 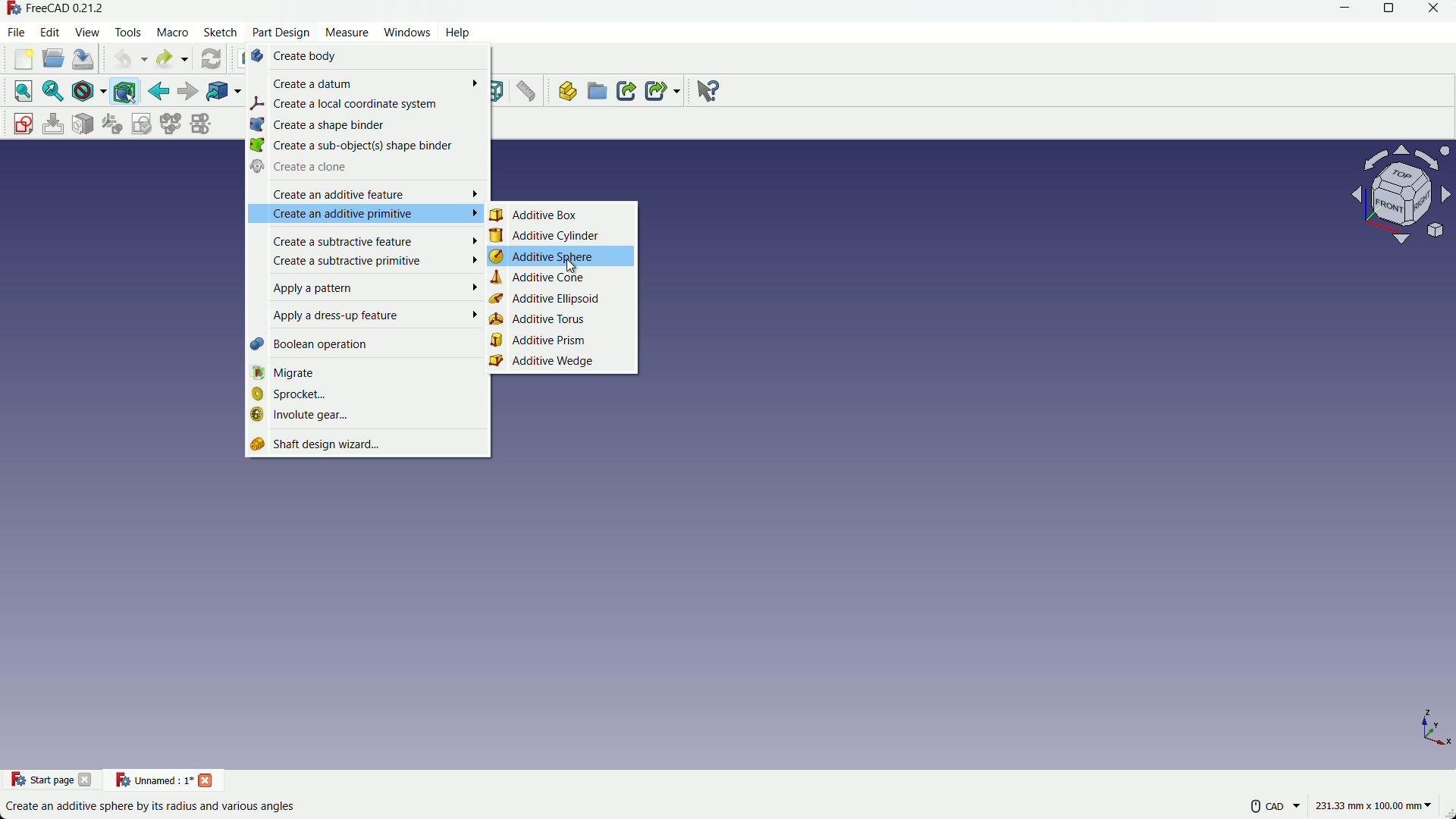 I want to click on create local coordinate system, so click(x=367, y=107).